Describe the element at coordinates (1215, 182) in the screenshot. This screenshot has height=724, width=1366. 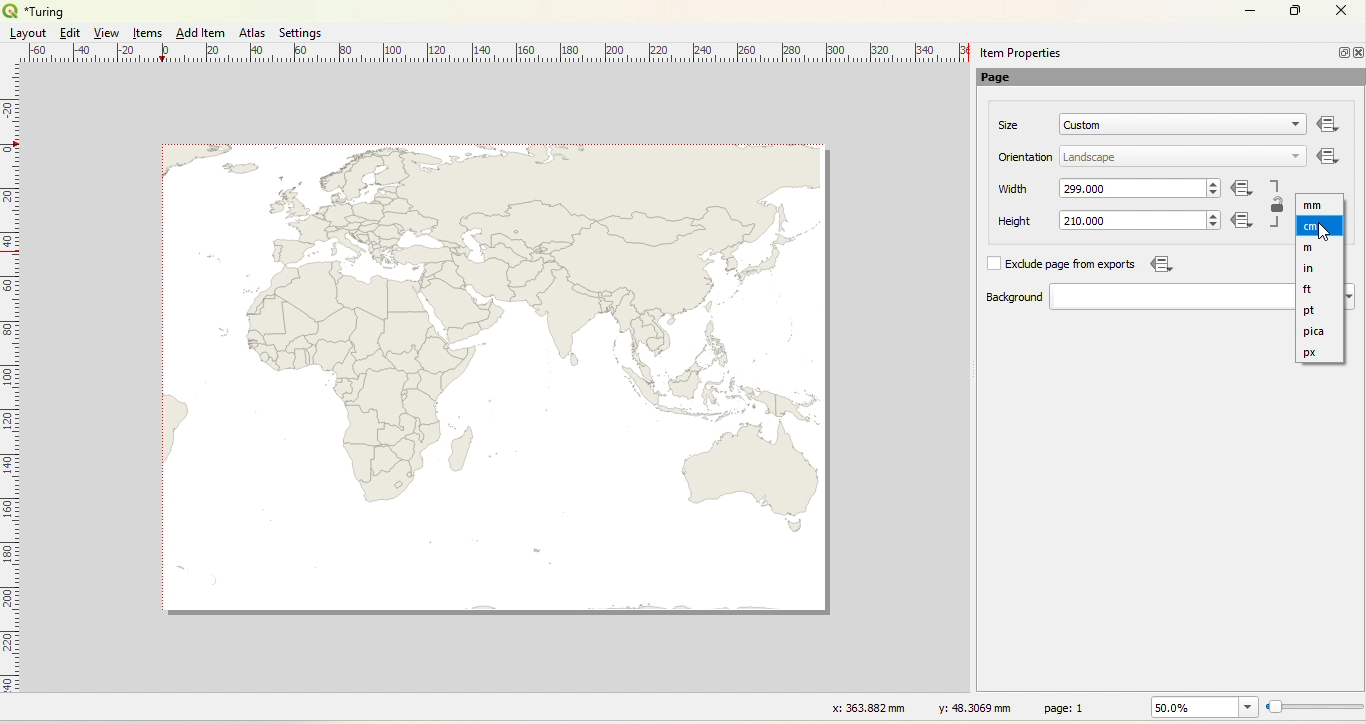
I see `increase` at that location.